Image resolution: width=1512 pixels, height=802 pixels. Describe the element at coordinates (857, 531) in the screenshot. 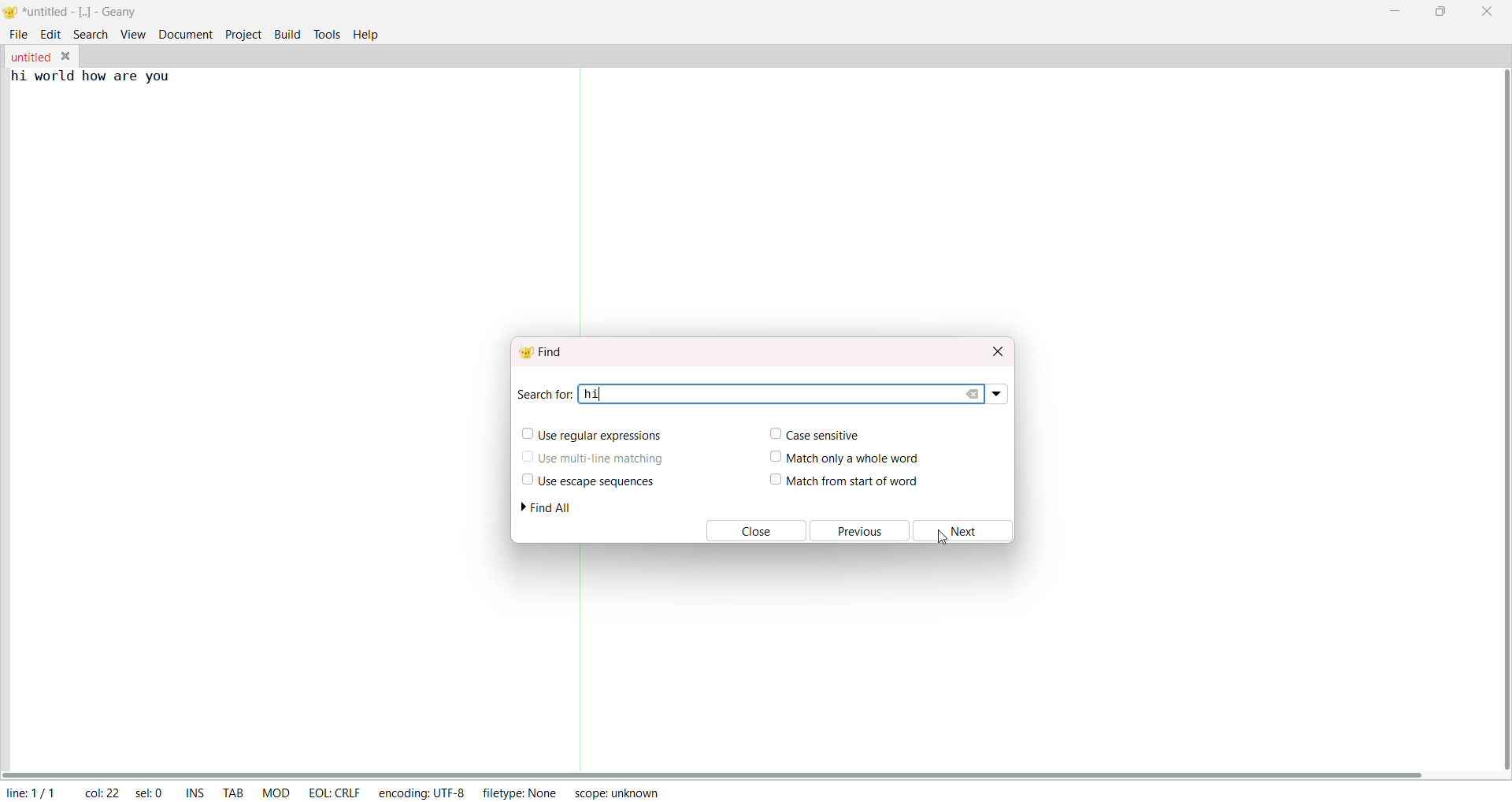

I see `previous` at that location.